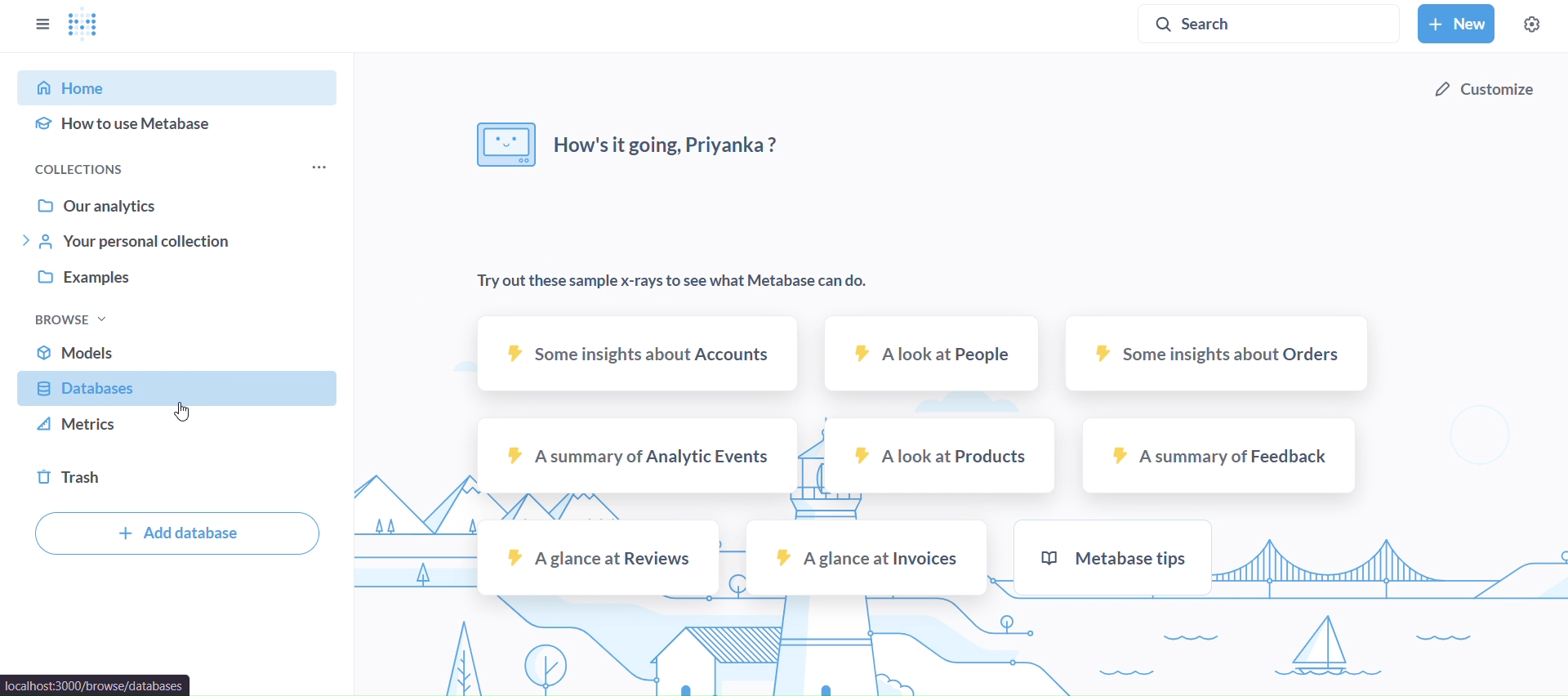 This screenshot has height=696, width=1568. I want to click on metabase tips, so click(1112, 558).